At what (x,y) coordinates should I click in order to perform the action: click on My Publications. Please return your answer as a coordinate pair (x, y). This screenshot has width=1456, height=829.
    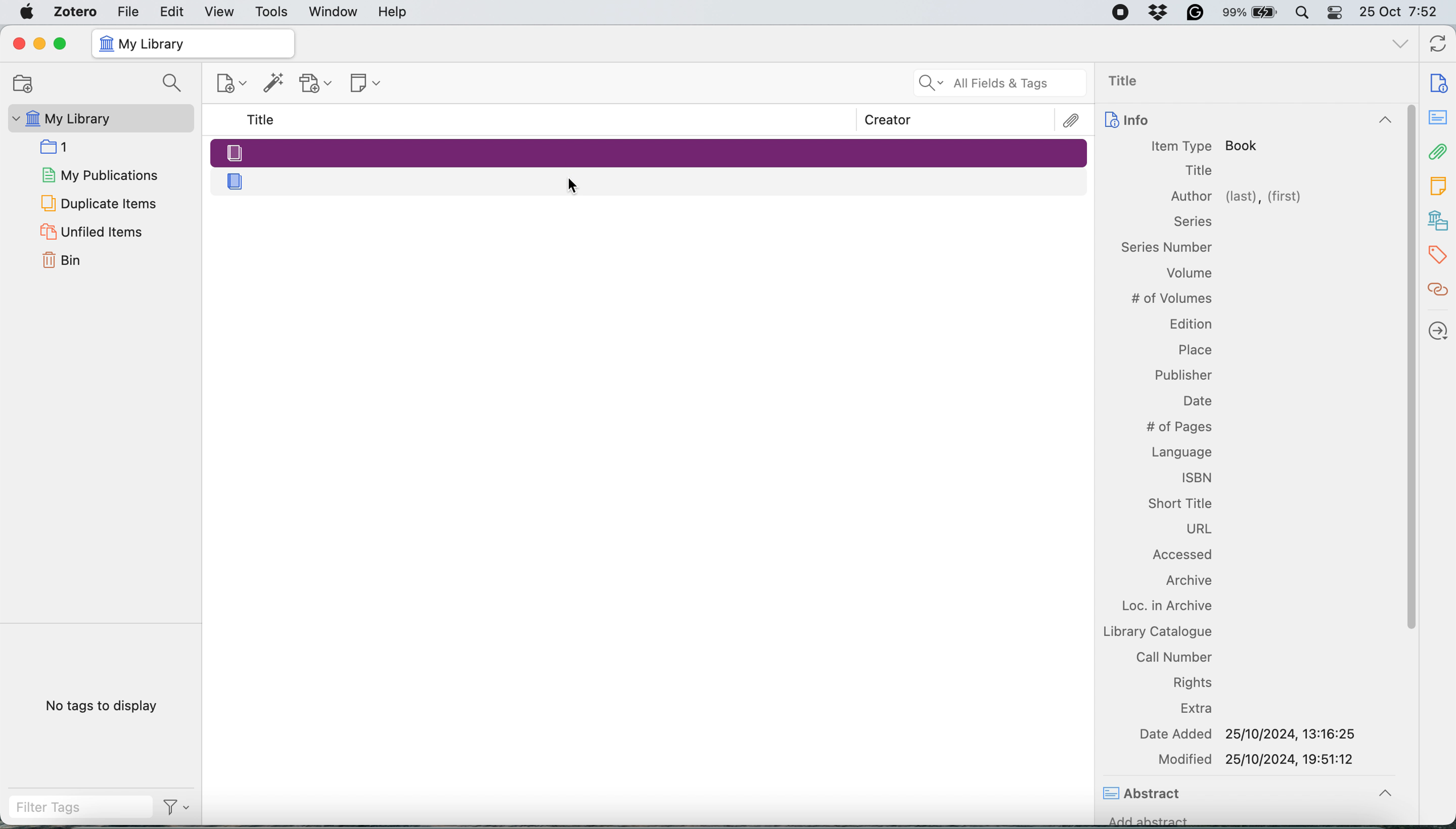
    Looking at the image, I should click on (99, 173).